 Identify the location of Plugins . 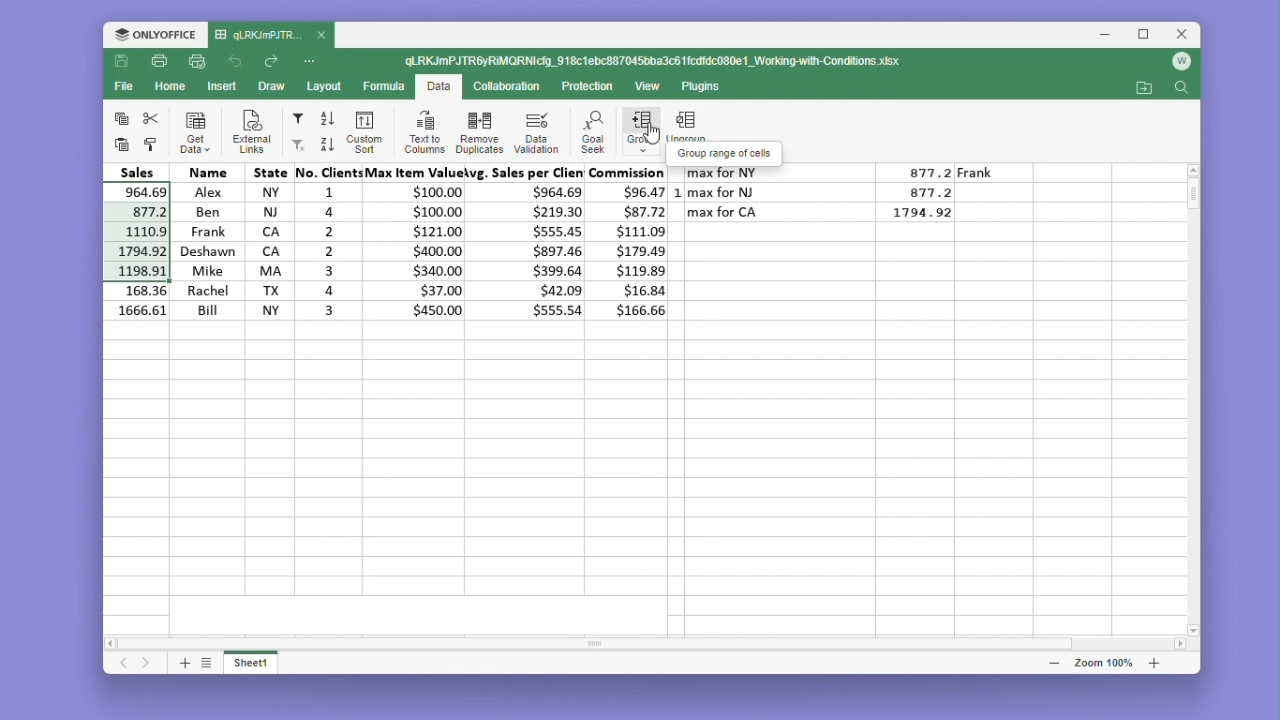
(706, 87).